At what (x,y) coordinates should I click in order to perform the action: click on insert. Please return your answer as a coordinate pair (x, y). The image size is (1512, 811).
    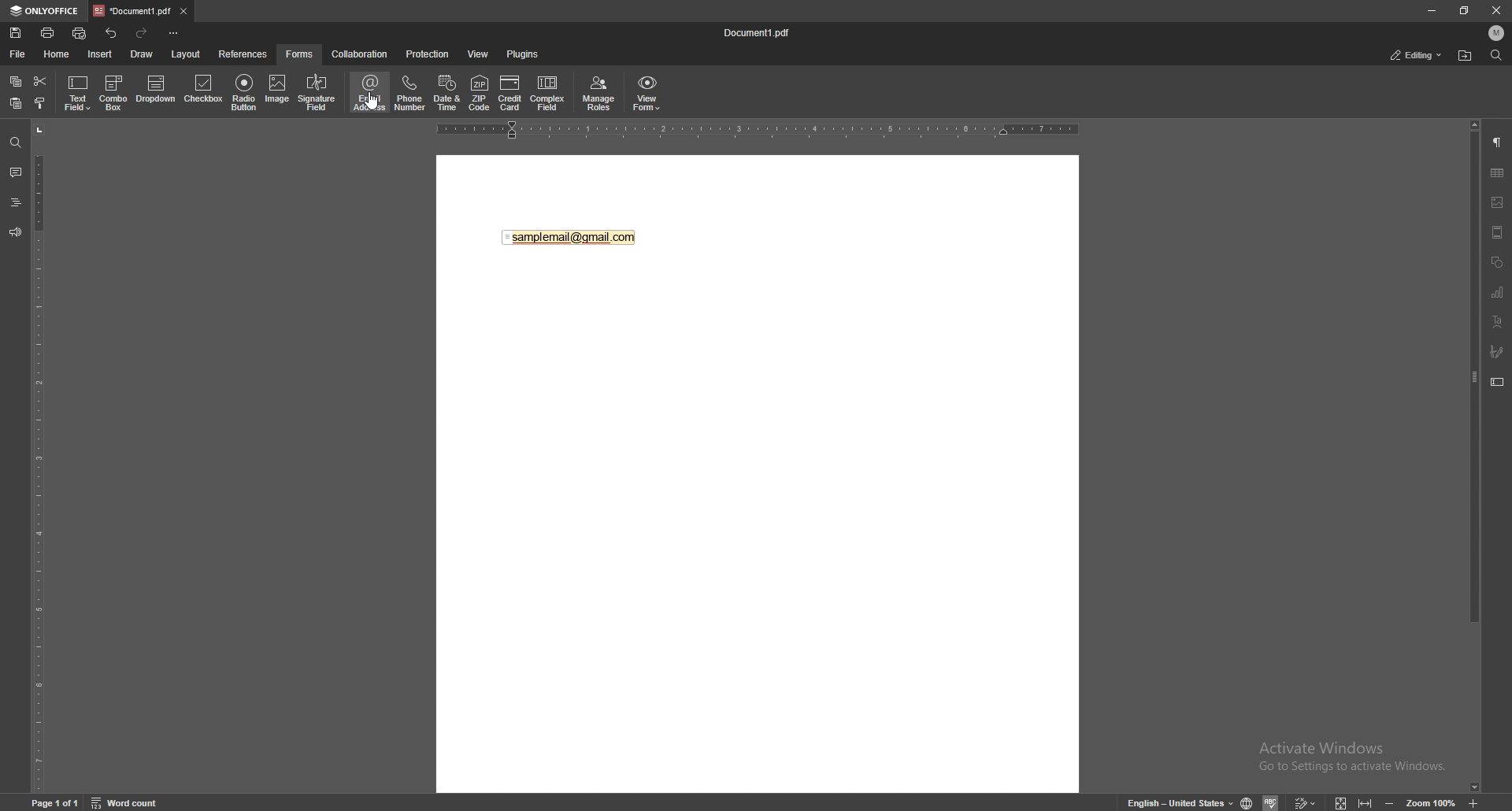
    Looking at the image, I should click on (99, 54).